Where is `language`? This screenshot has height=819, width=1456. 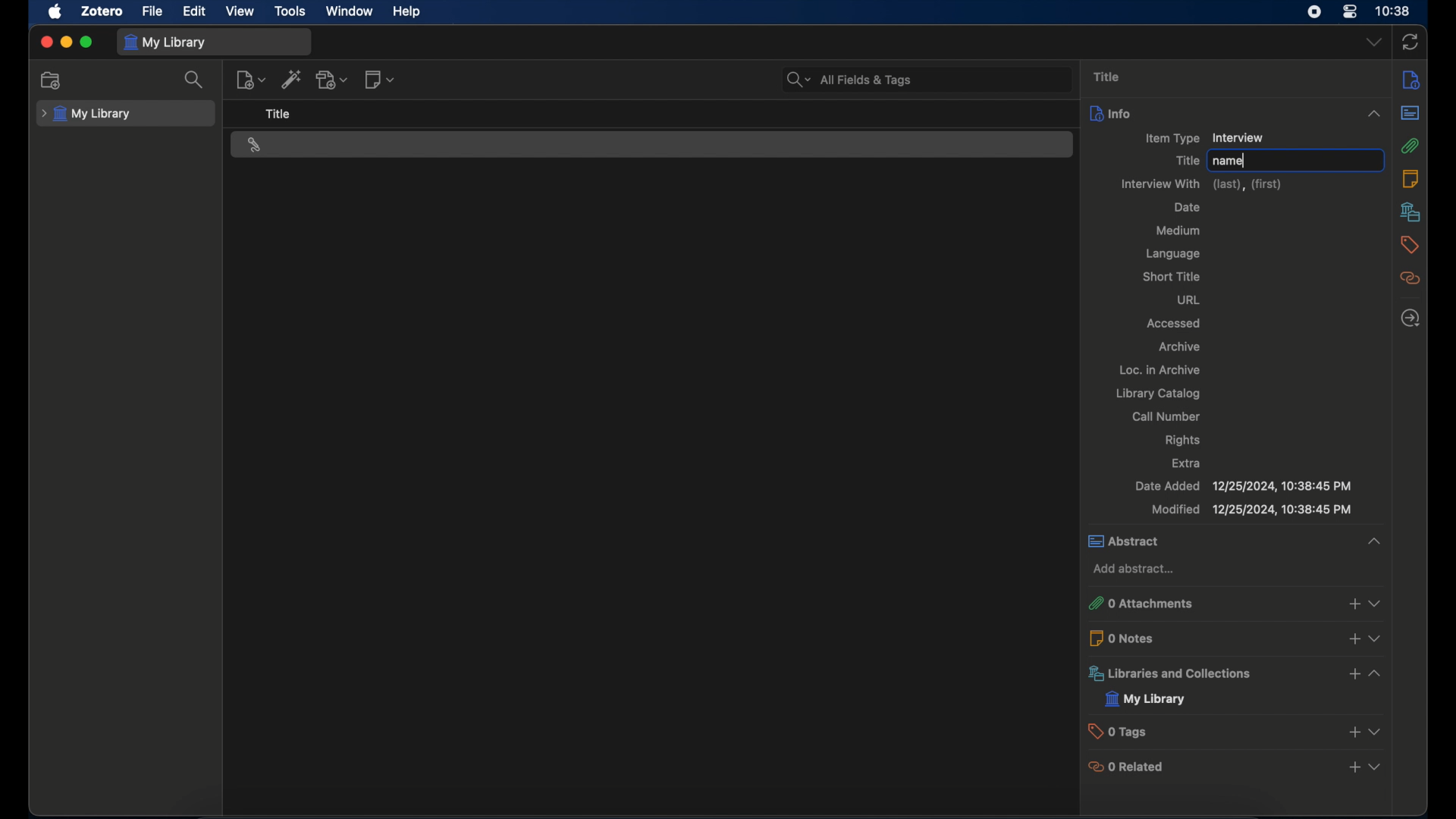 language is located at coordinates (1175, 256).